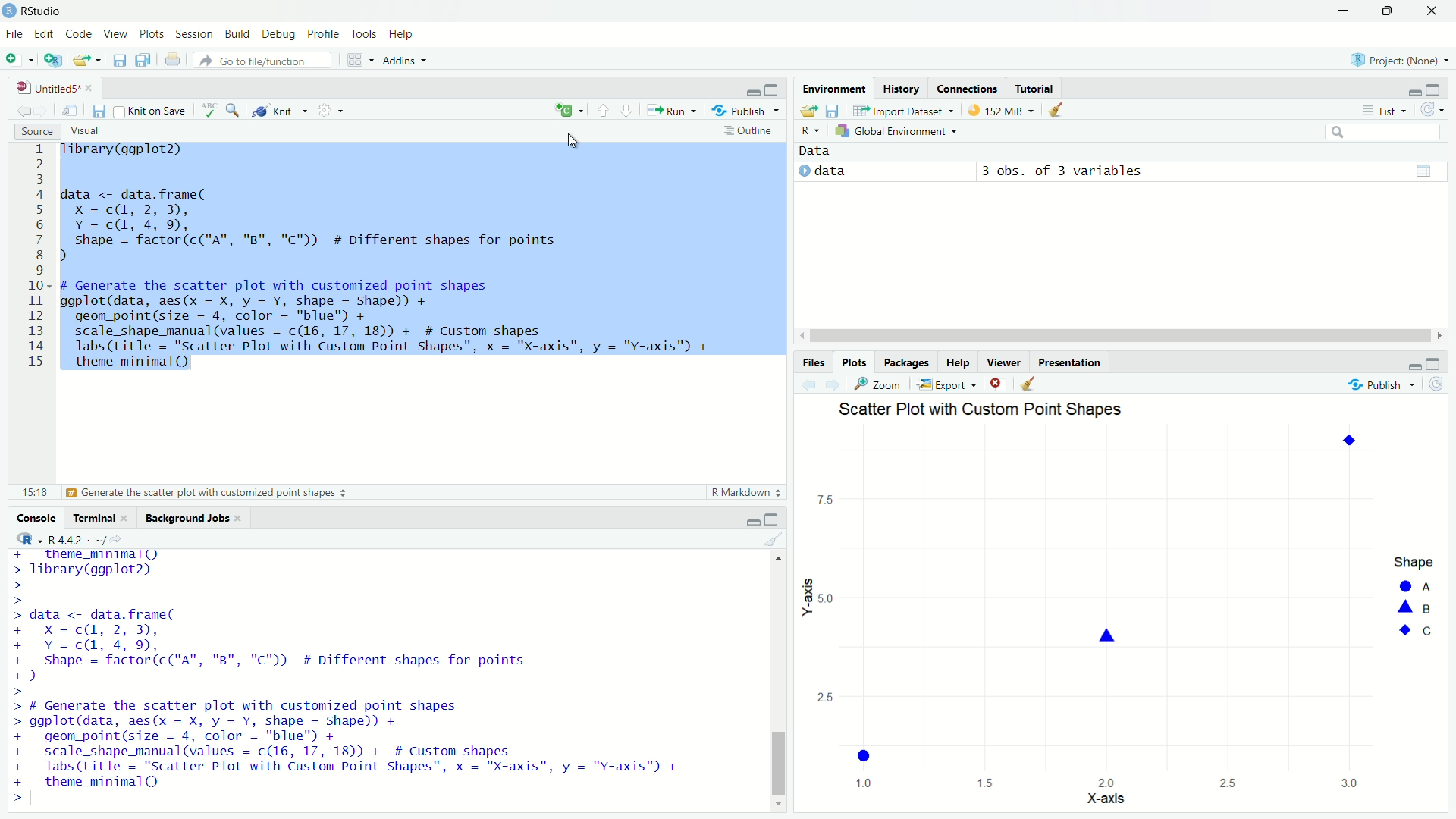  What do you see at coordinates (19, 60) in the screenshot?
I see `New file` at bounding box center [19, 60].